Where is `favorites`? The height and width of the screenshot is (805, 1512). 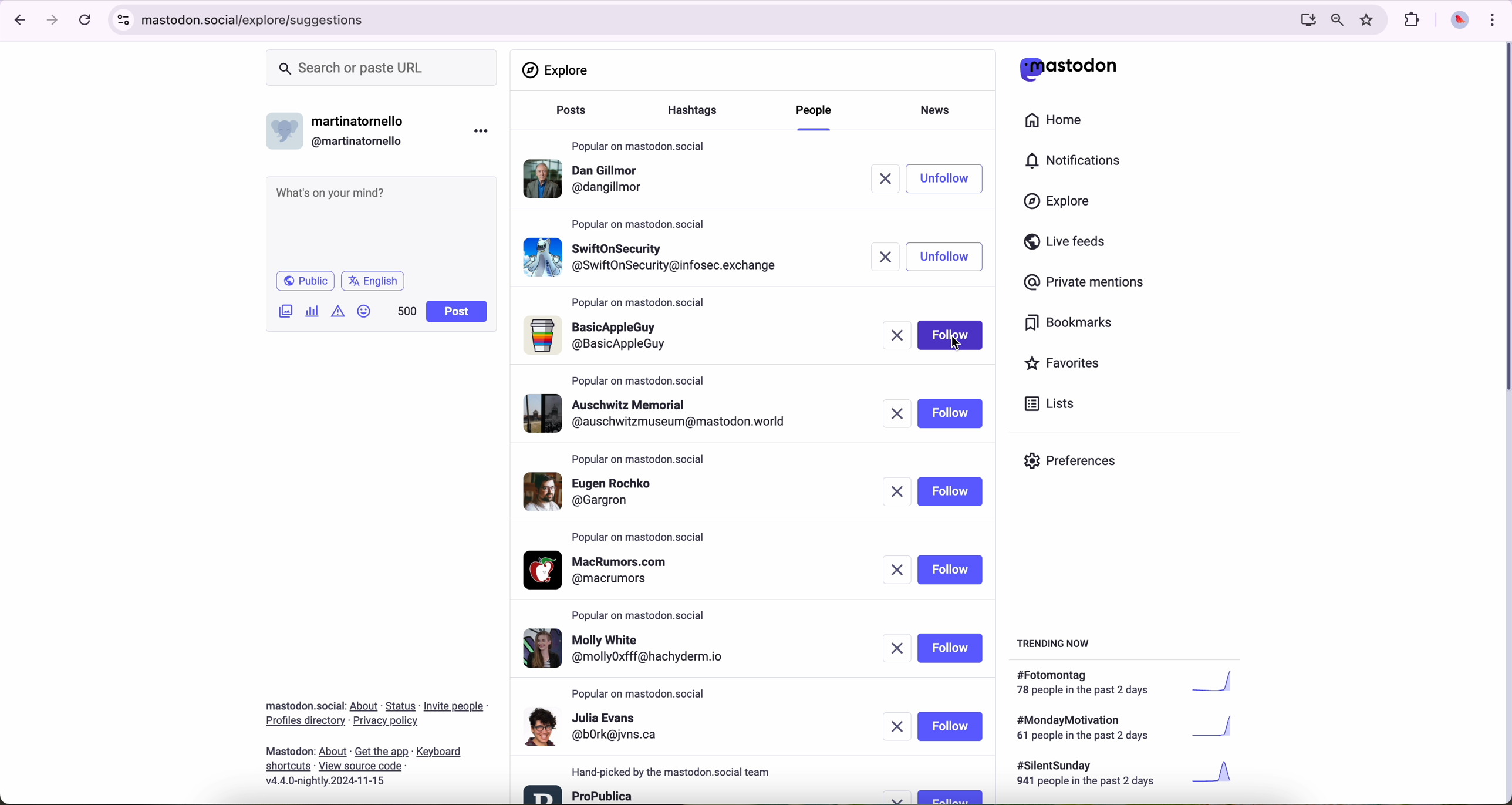
favorites is located at coordinates (1067, 365).